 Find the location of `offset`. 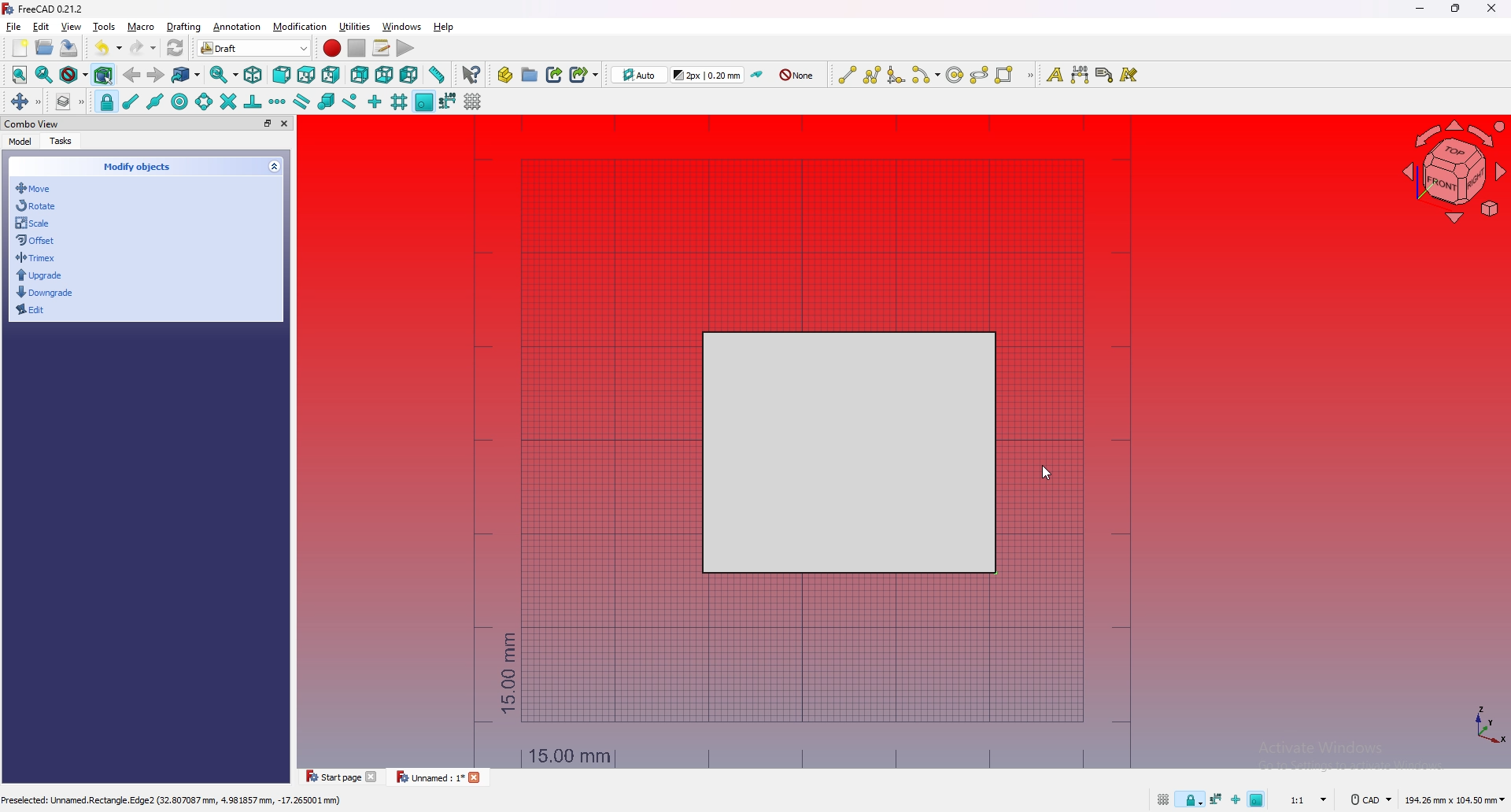

offset is located at coordinates (38, 239).